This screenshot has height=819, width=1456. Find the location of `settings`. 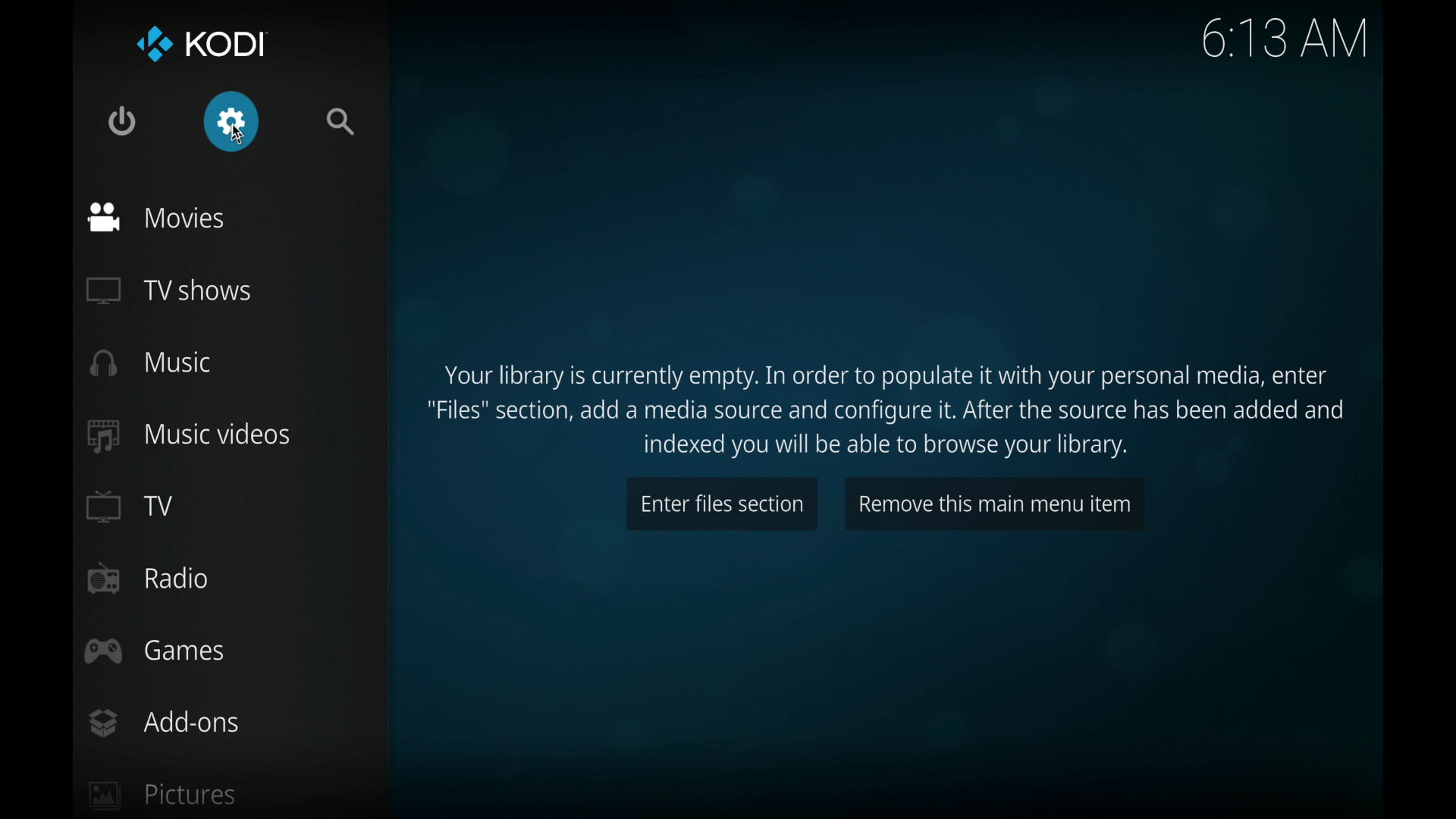

settings is located at coordinates (231, 121).